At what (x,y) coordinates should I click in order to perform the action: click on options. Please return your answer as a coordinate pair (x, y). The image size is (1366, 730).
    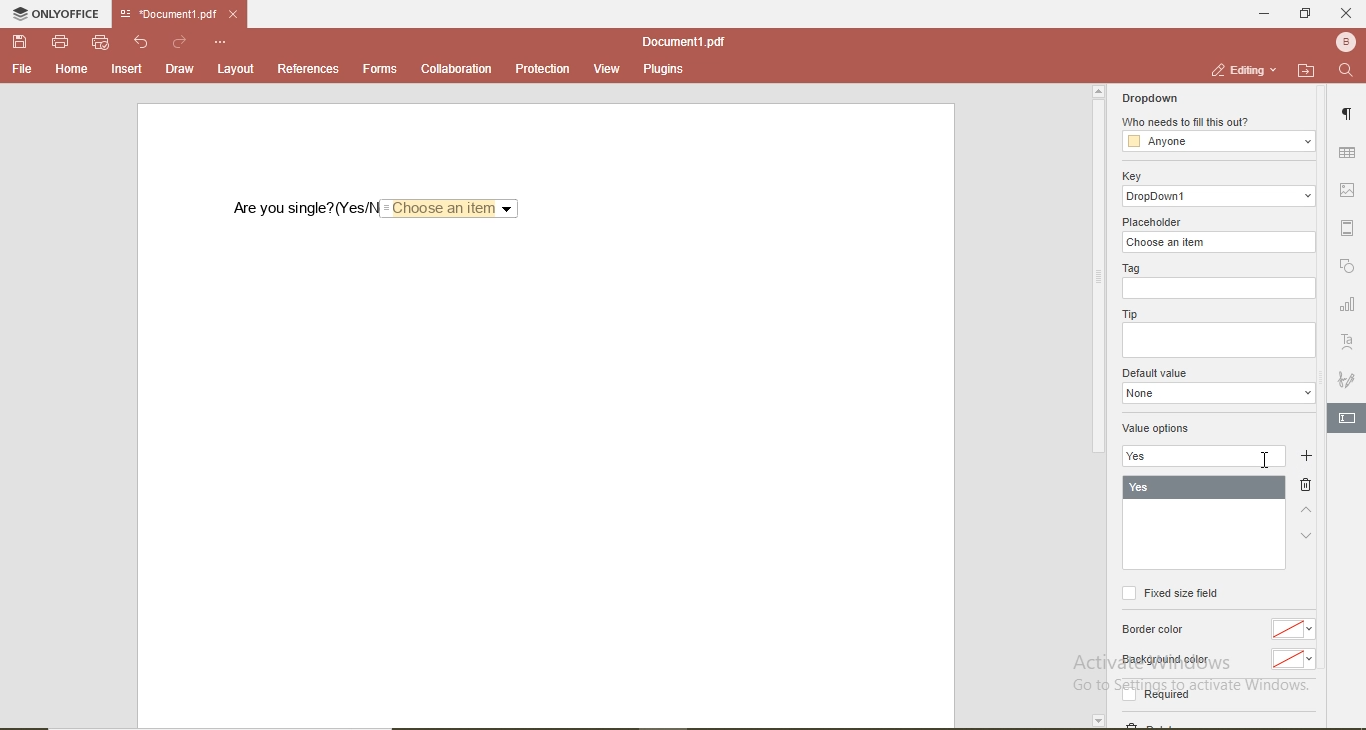
    Looking at the image, I should click on (221, 43).